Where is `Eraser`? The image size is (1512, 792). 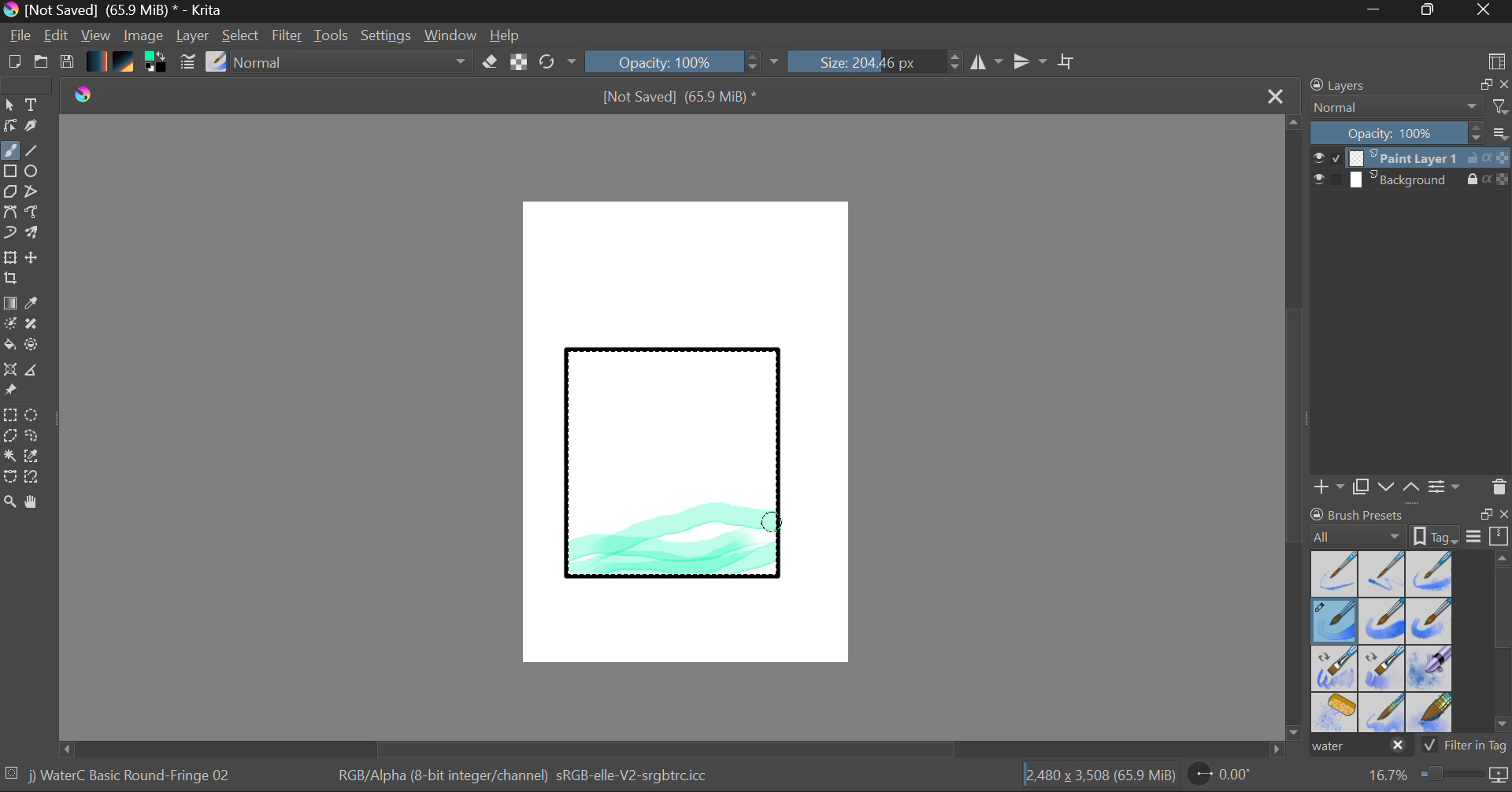
Eraser is located at coordinates (491, 62).